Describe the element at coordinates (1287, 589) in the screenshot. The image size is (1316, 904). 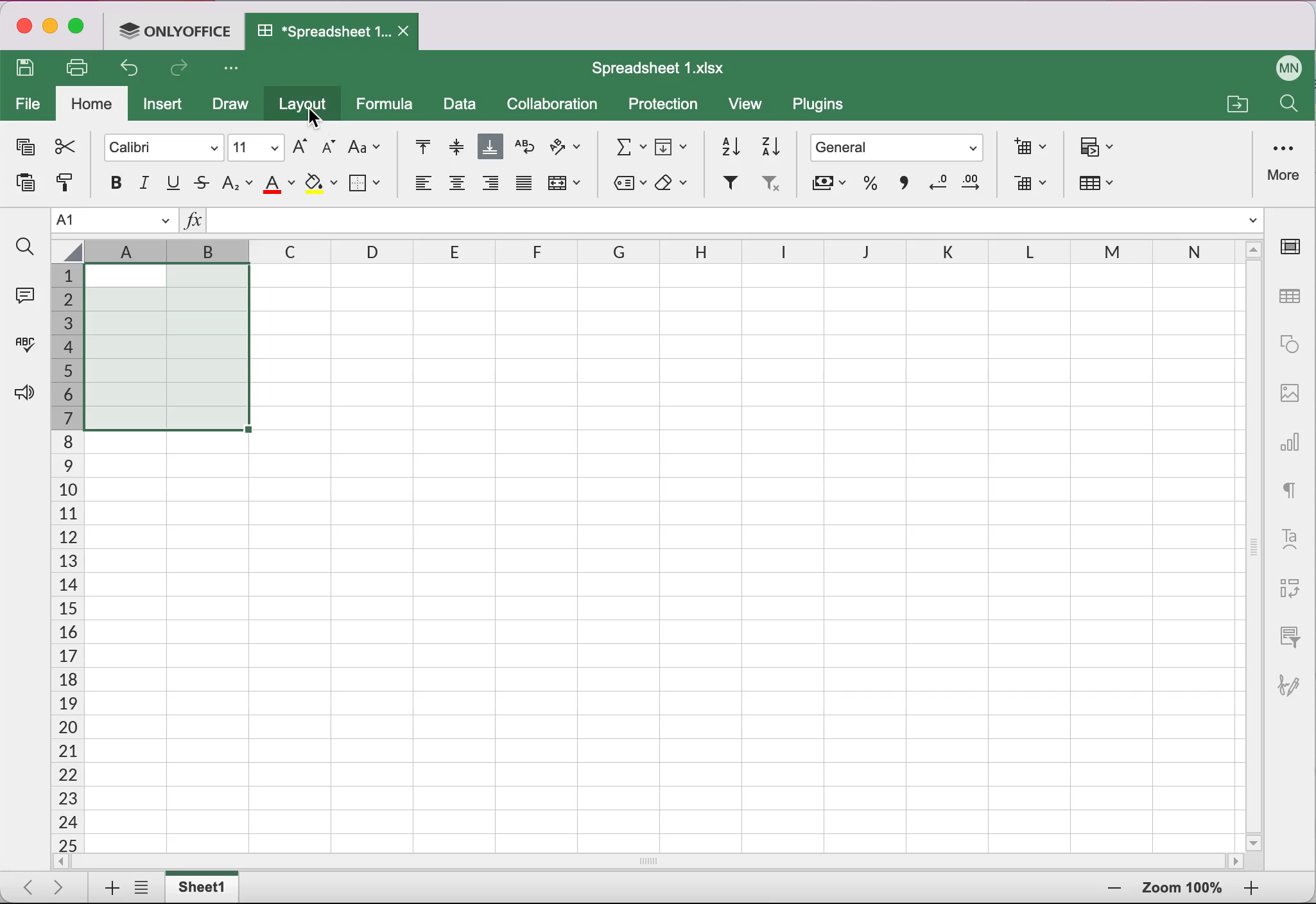
I see `pivot table` at that location.